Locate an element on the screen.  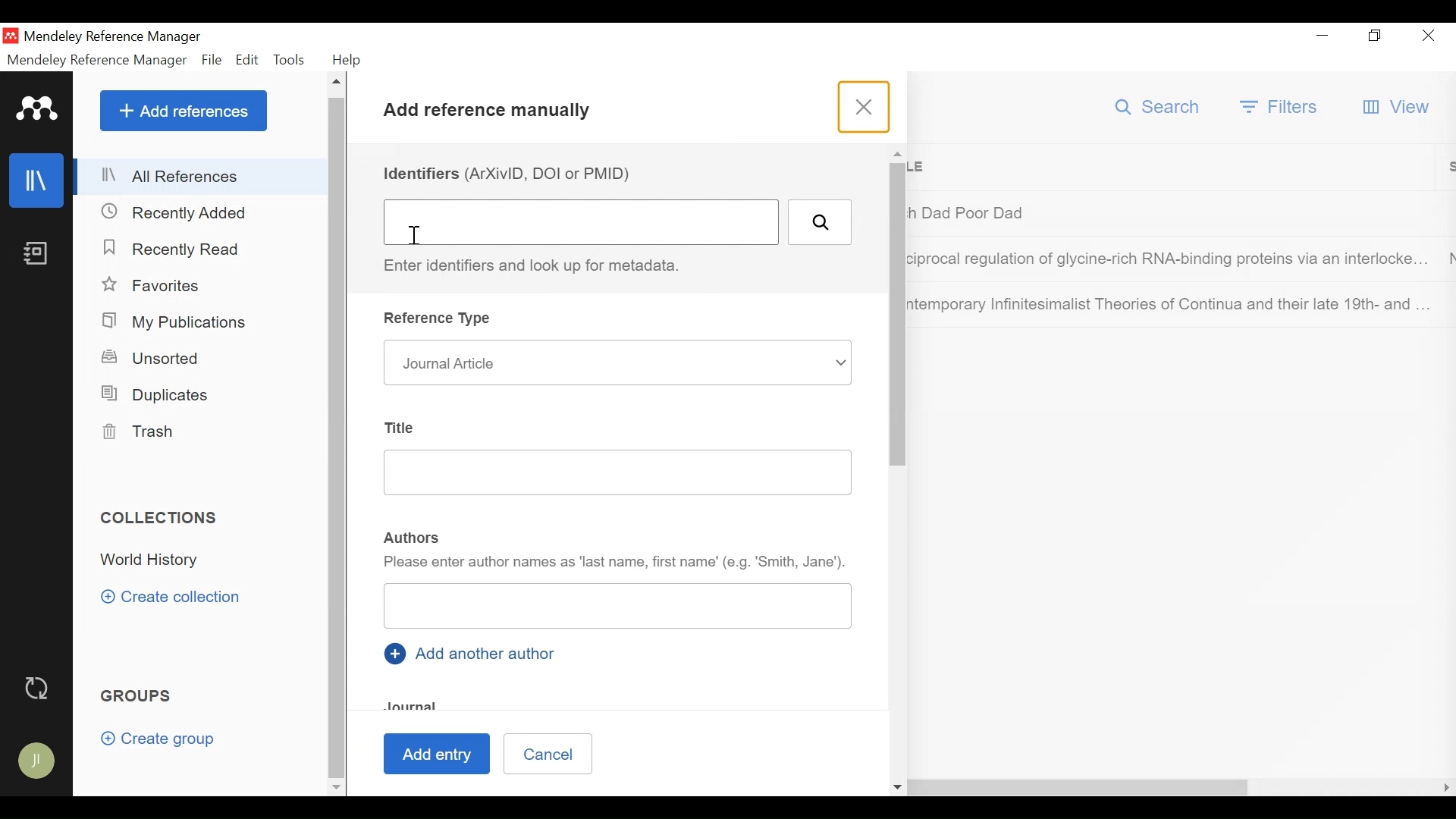
Cancel is located at coordinates (547, 753).